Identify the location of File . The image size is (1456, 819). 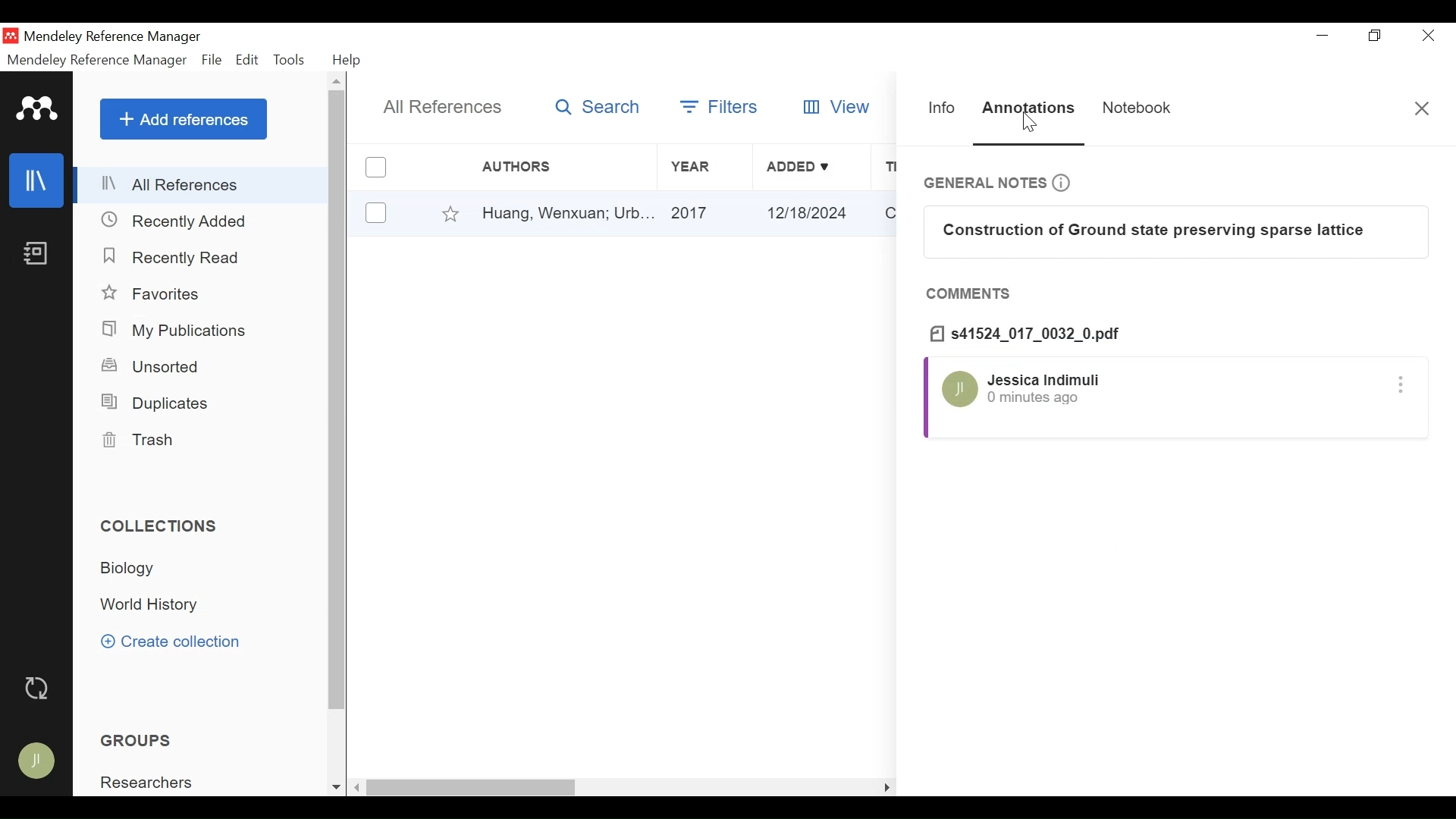
(211, 60).